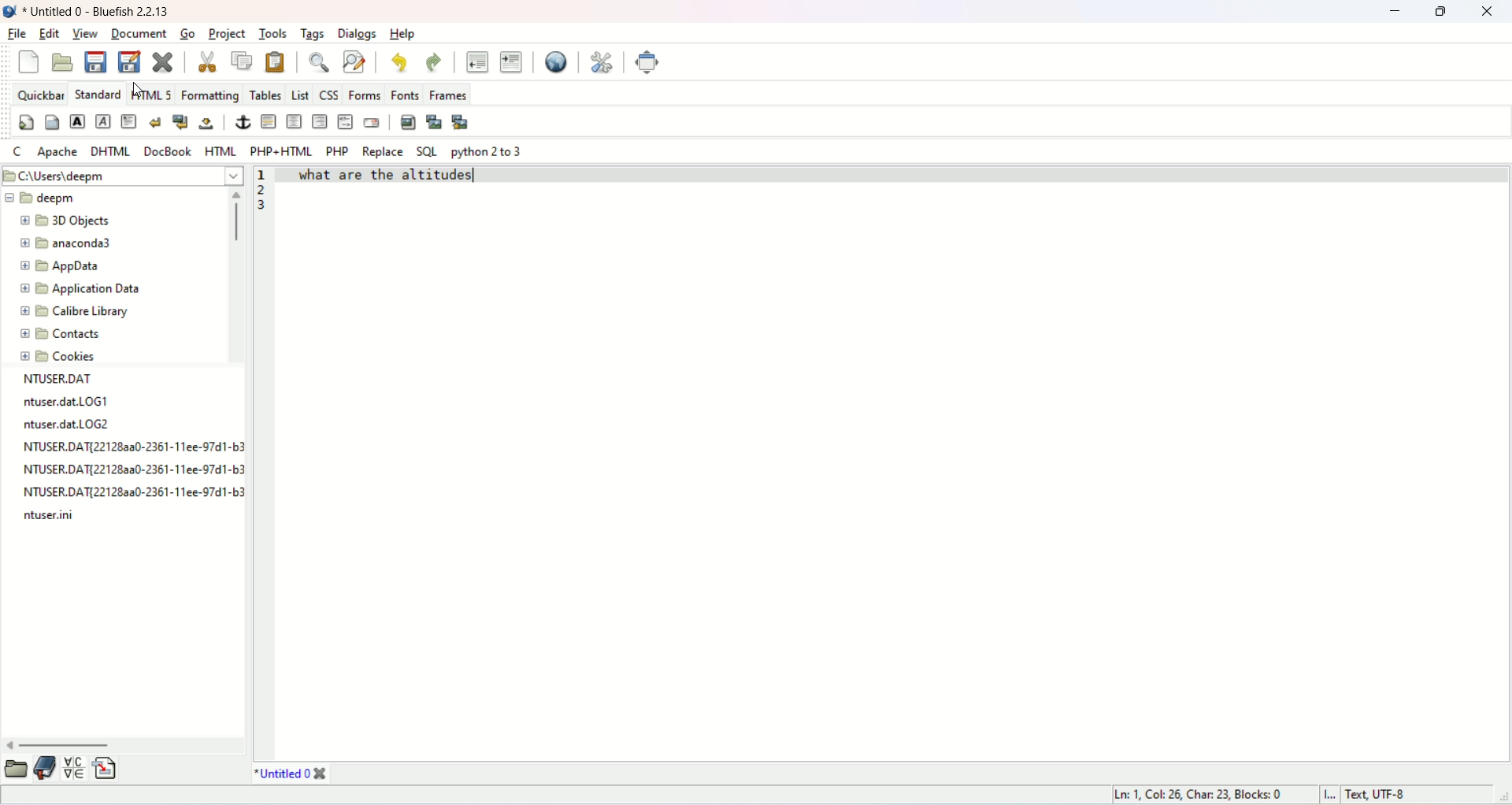  I want to click on file, so click(16, 35).